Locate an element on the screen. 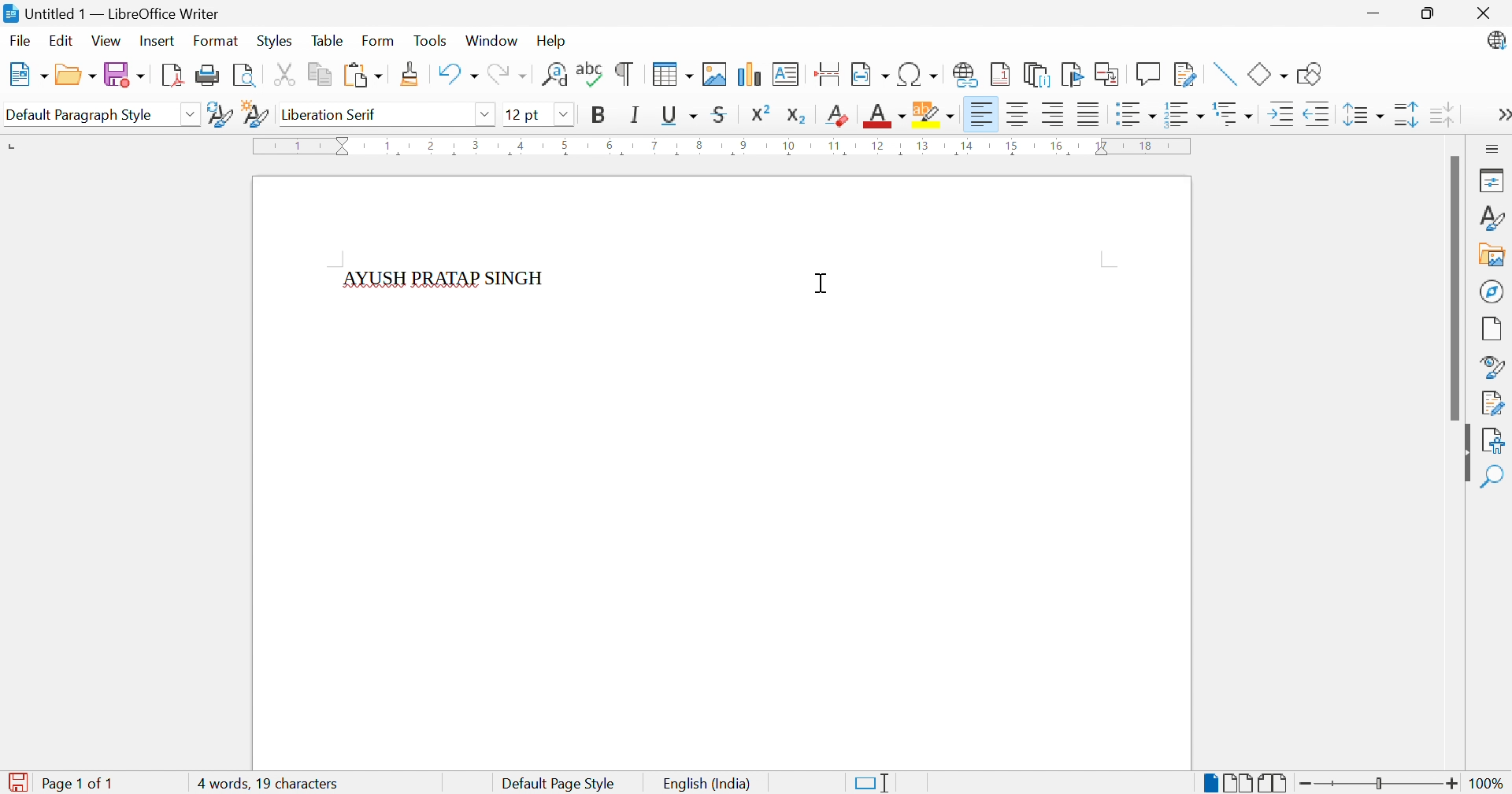 Image resolution: width=1512 pixels, height=794 pixels. Insert Image is located at coordinates (715, 73).